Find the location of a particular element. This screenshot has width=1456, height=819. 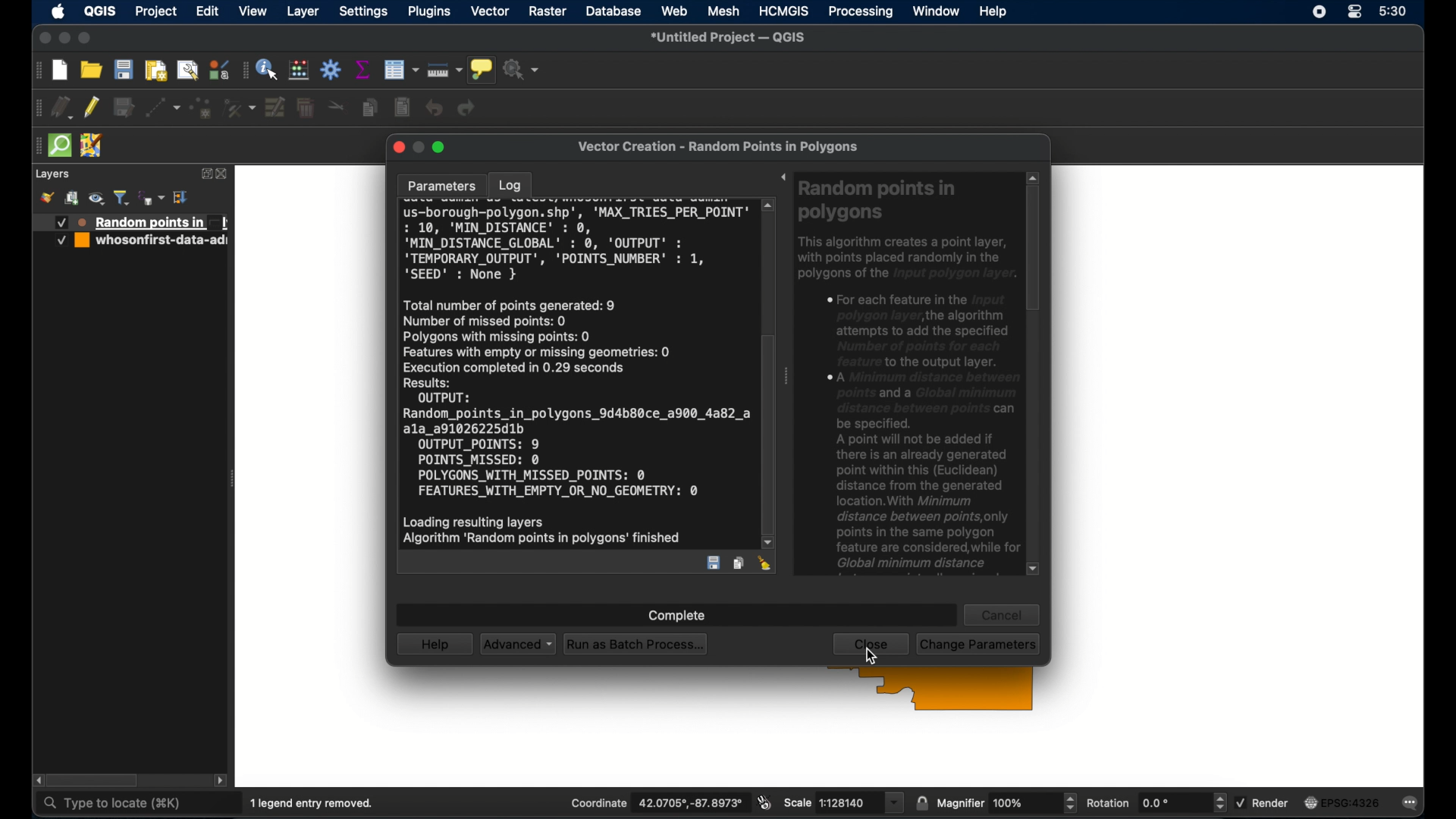

processing is located at coordinates (860, 11).